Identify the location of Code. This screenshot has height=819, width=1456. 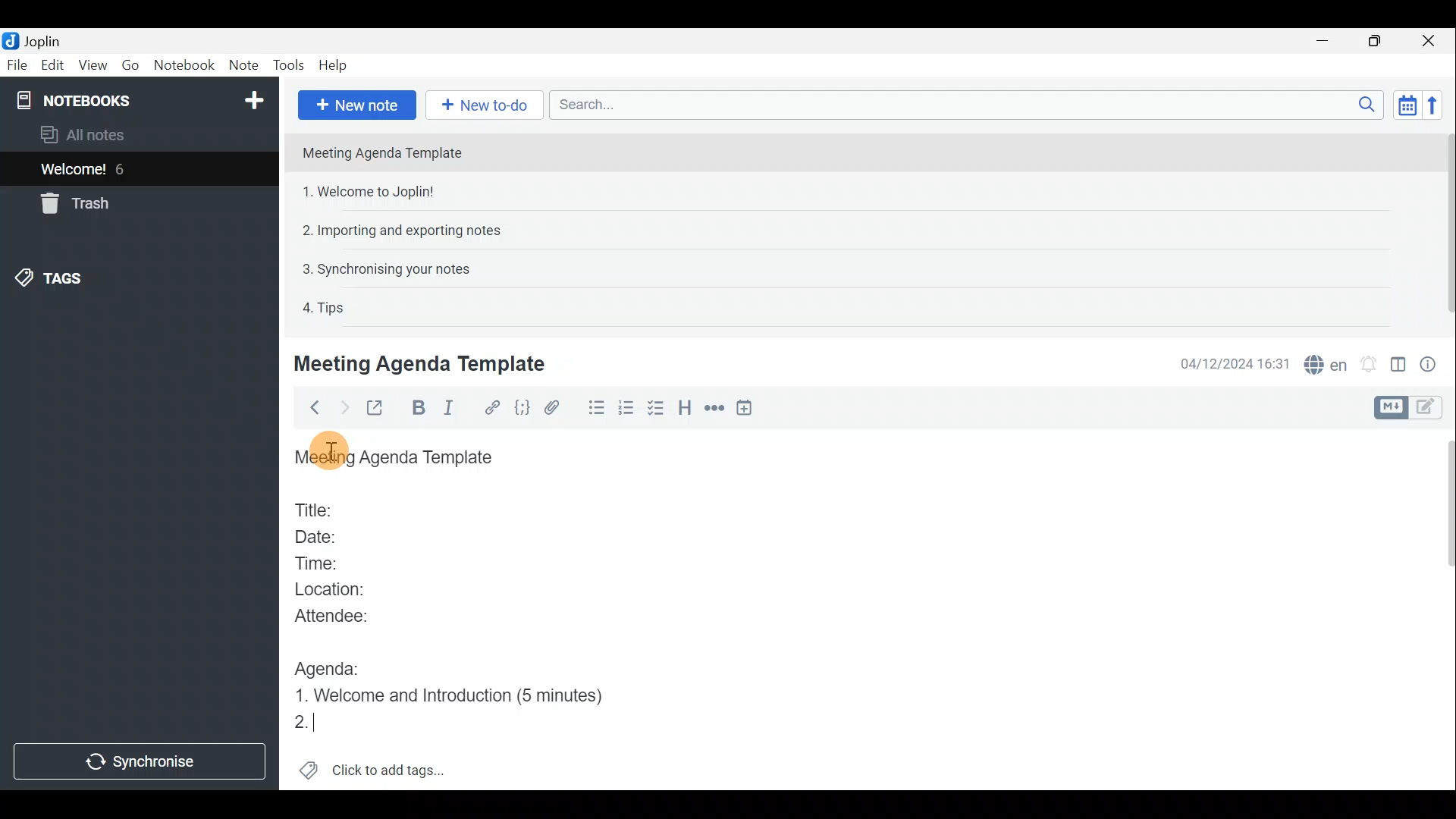
(522, 409).